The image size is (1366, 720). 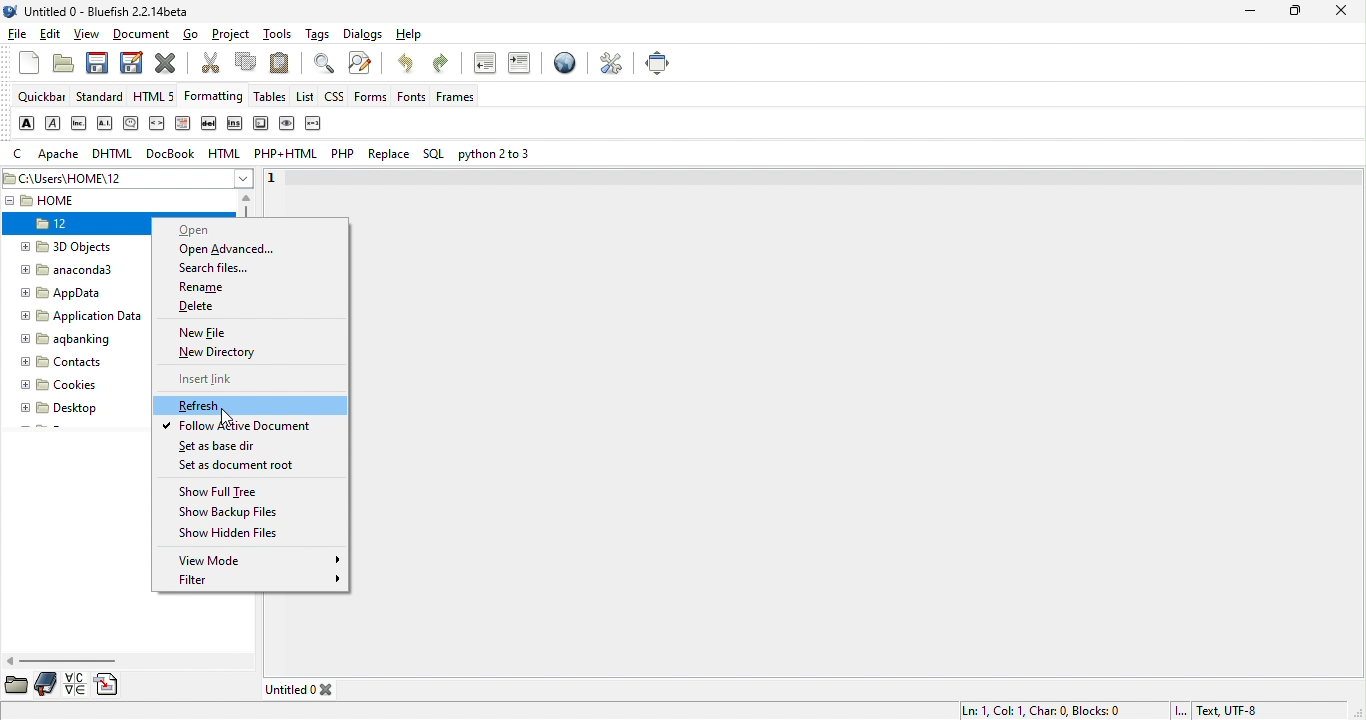 I want to click on new directory, so click(x=222, y=351).